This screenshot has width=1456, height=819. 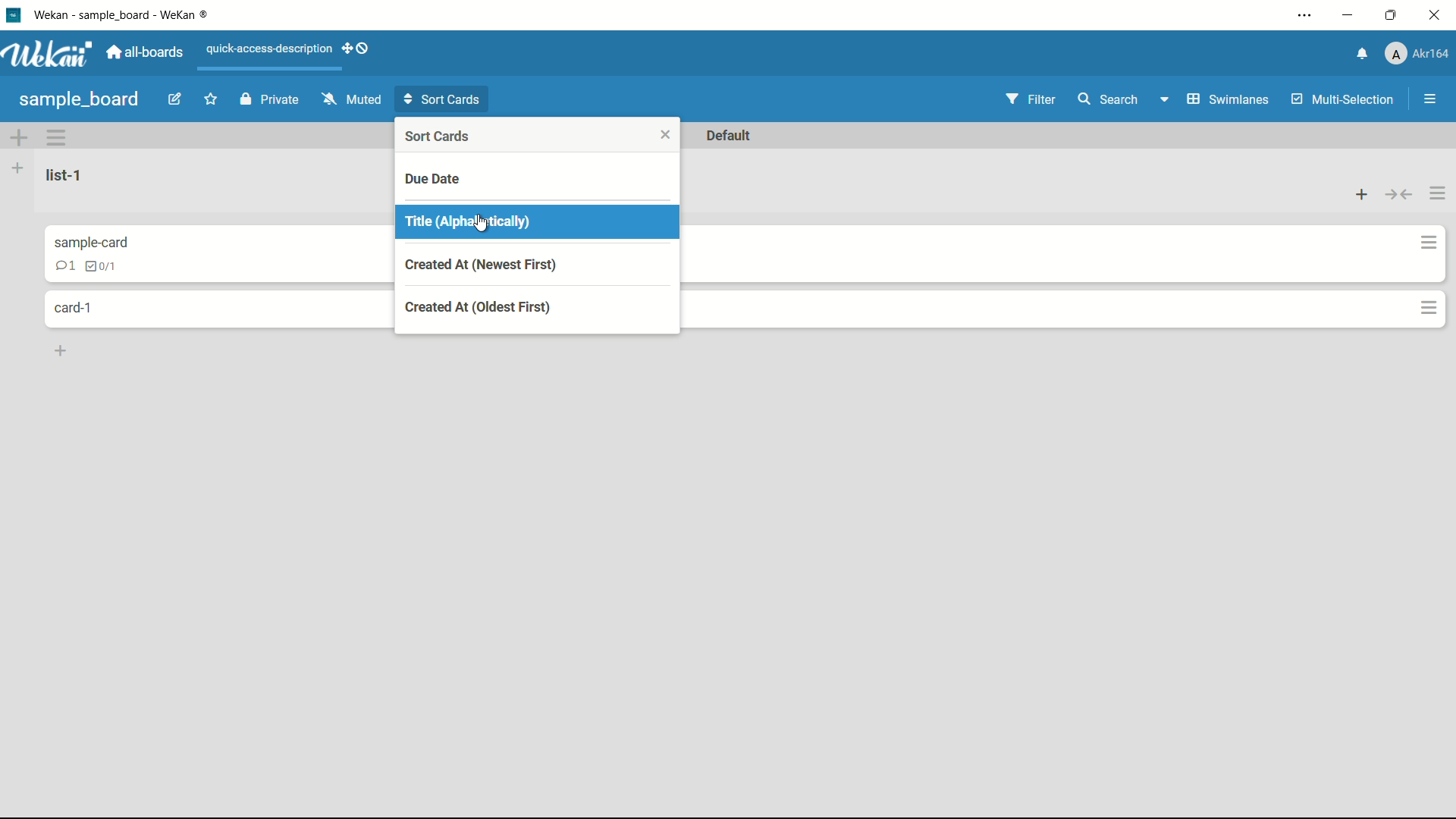 What do you see at coordinates (359, 49) in the screenshot?
I see `show-desktop-drag-handles` at bounding box center [359, 49].